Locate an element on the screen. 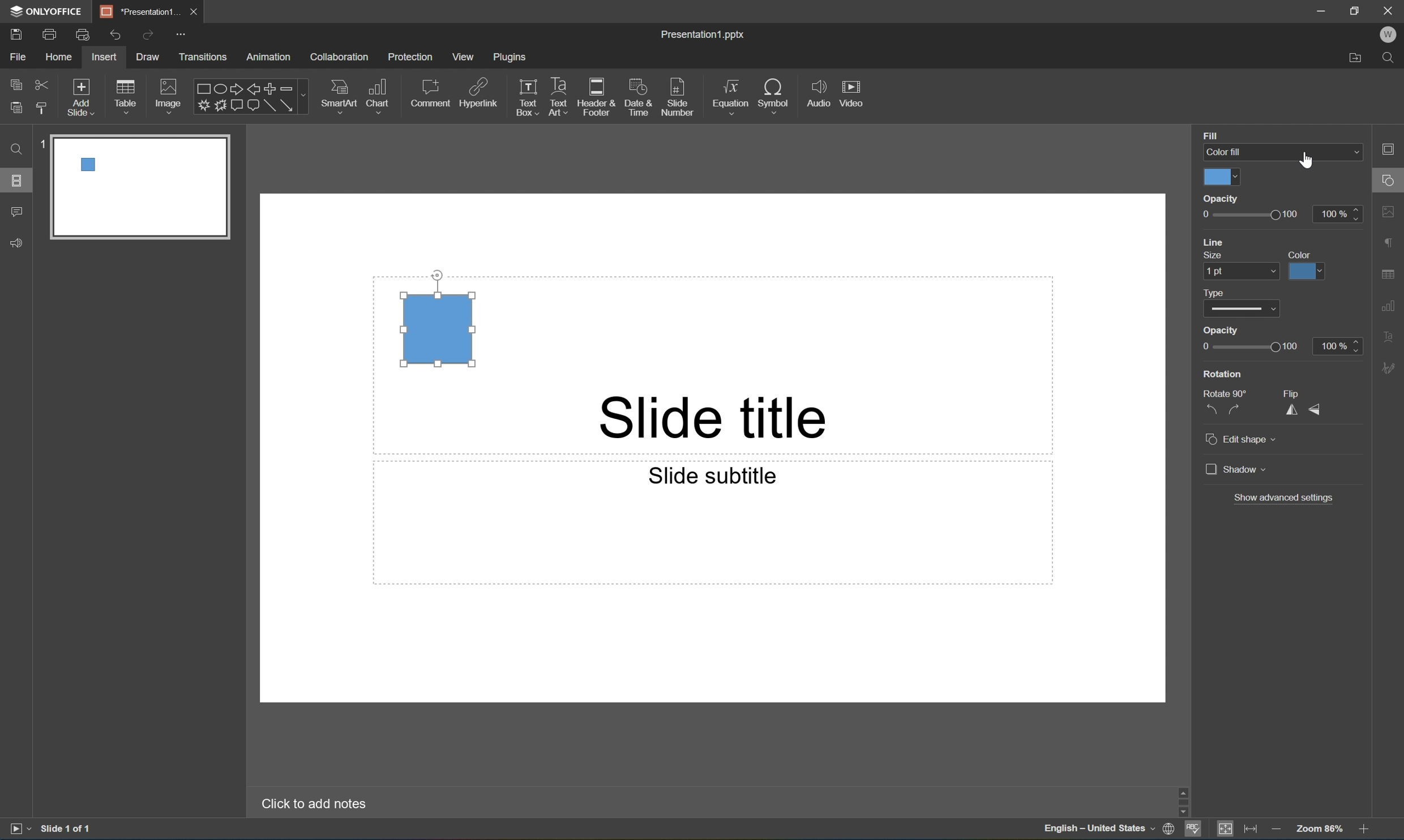 The width and height of the screenshot is (1404, 840). Quick Print is located at coordinates (82, 34).